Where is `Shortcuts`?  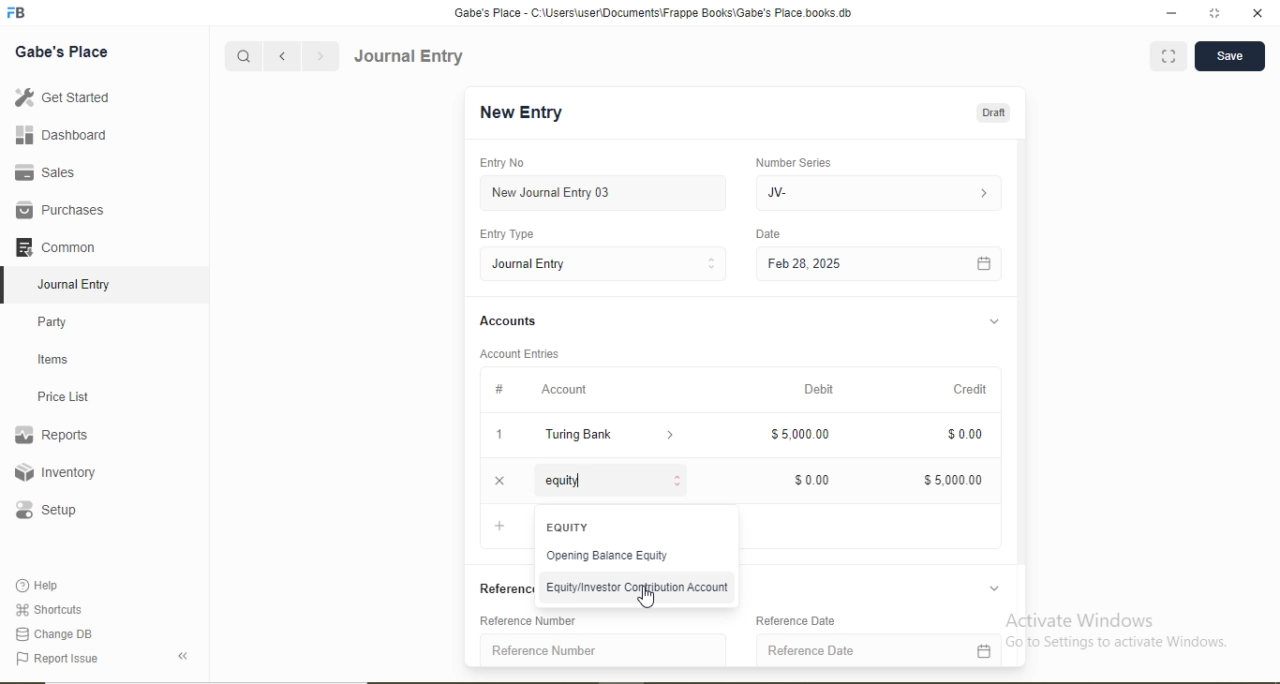
Shortcuts is located at coordinates (47, 609).